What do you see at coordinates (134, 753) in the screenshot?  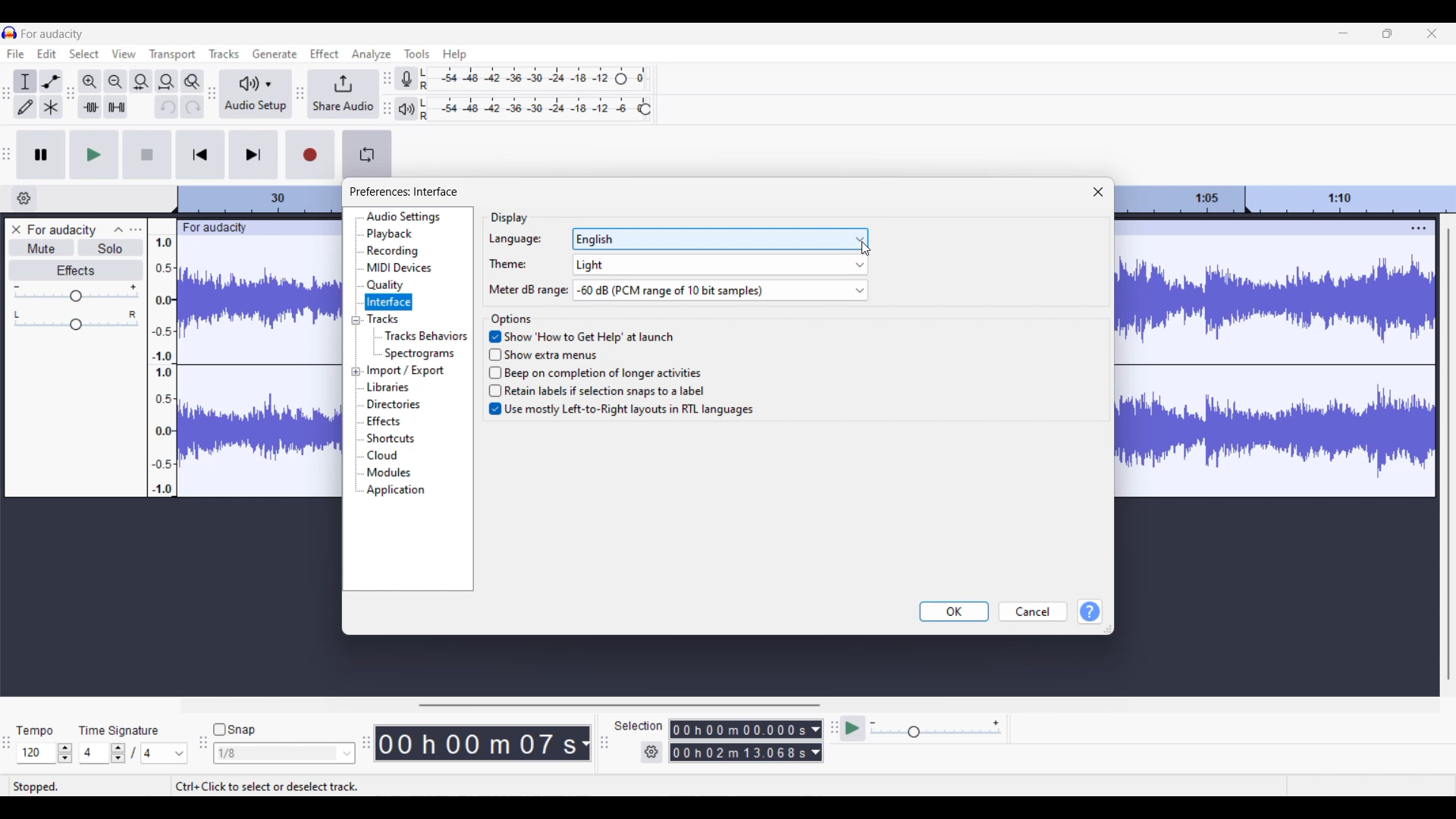 I see `Time signature settings` at bounding box center [134, 753].